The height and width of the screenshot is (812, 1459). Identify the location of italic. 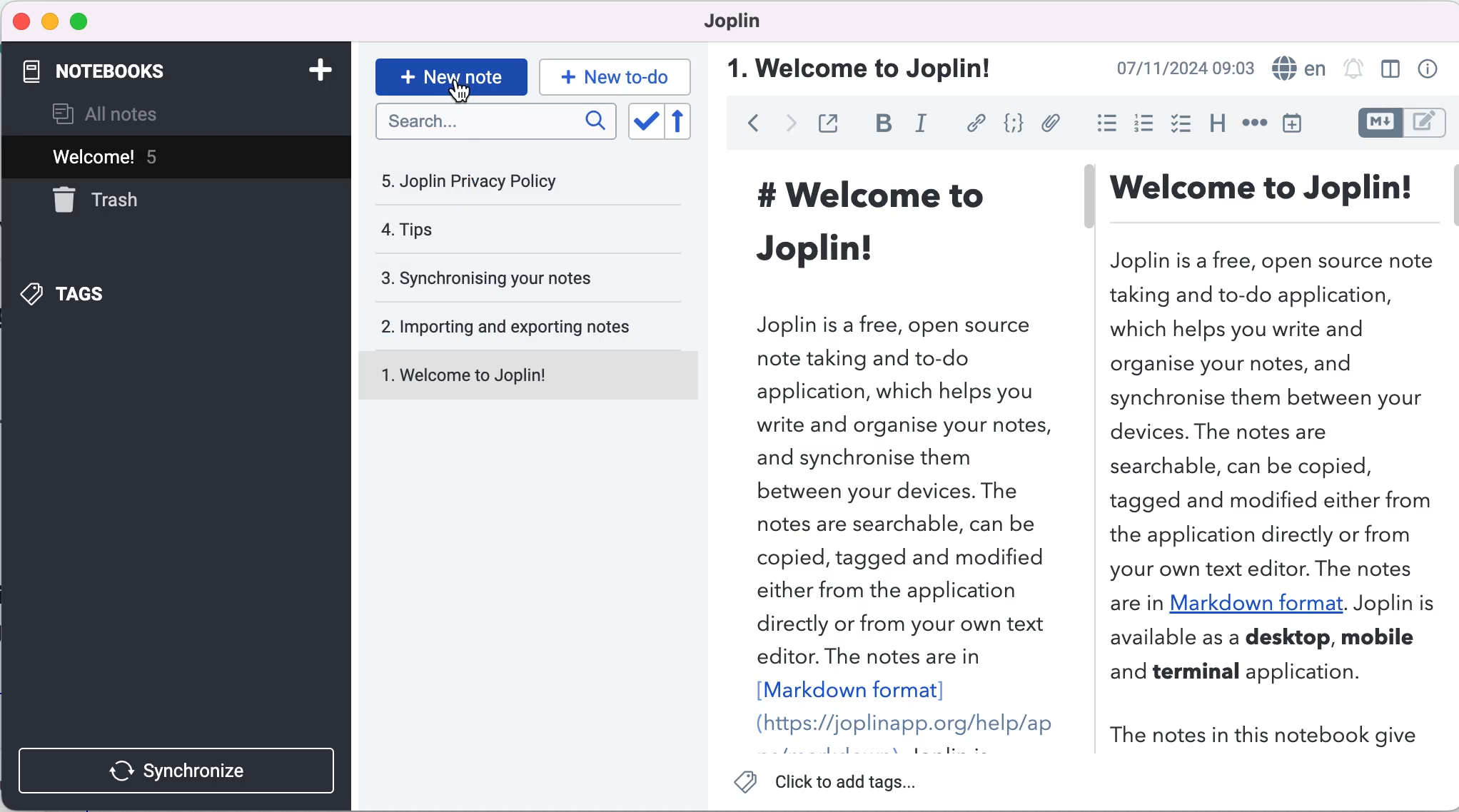
(921, 125).